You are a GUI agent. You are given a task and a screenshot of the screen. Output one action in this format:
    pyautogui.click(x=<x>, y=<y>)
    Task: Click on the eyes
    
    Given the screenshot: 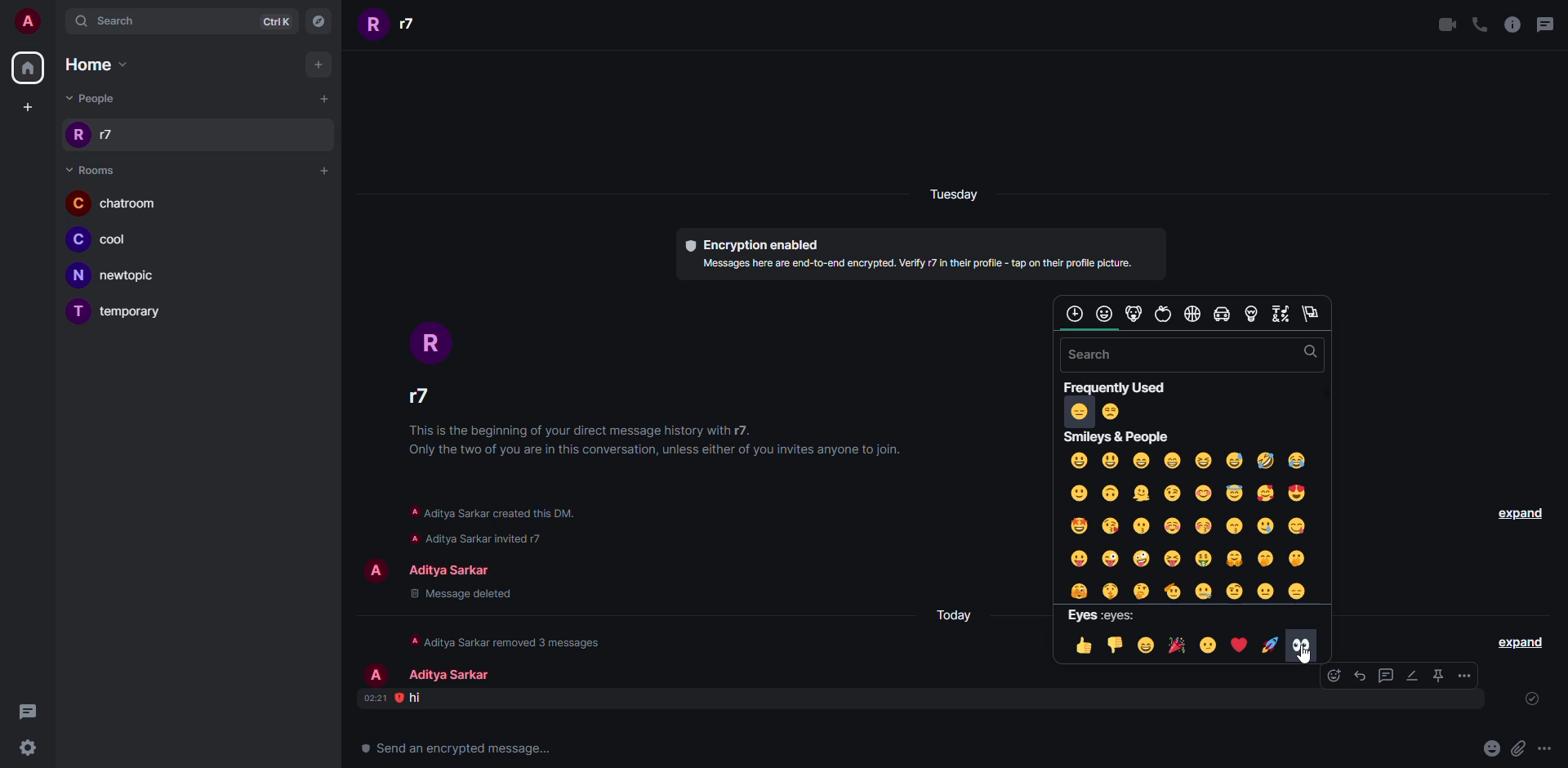 What is the action you would take?
    pyautogui.click(x=1303, y=644)
    